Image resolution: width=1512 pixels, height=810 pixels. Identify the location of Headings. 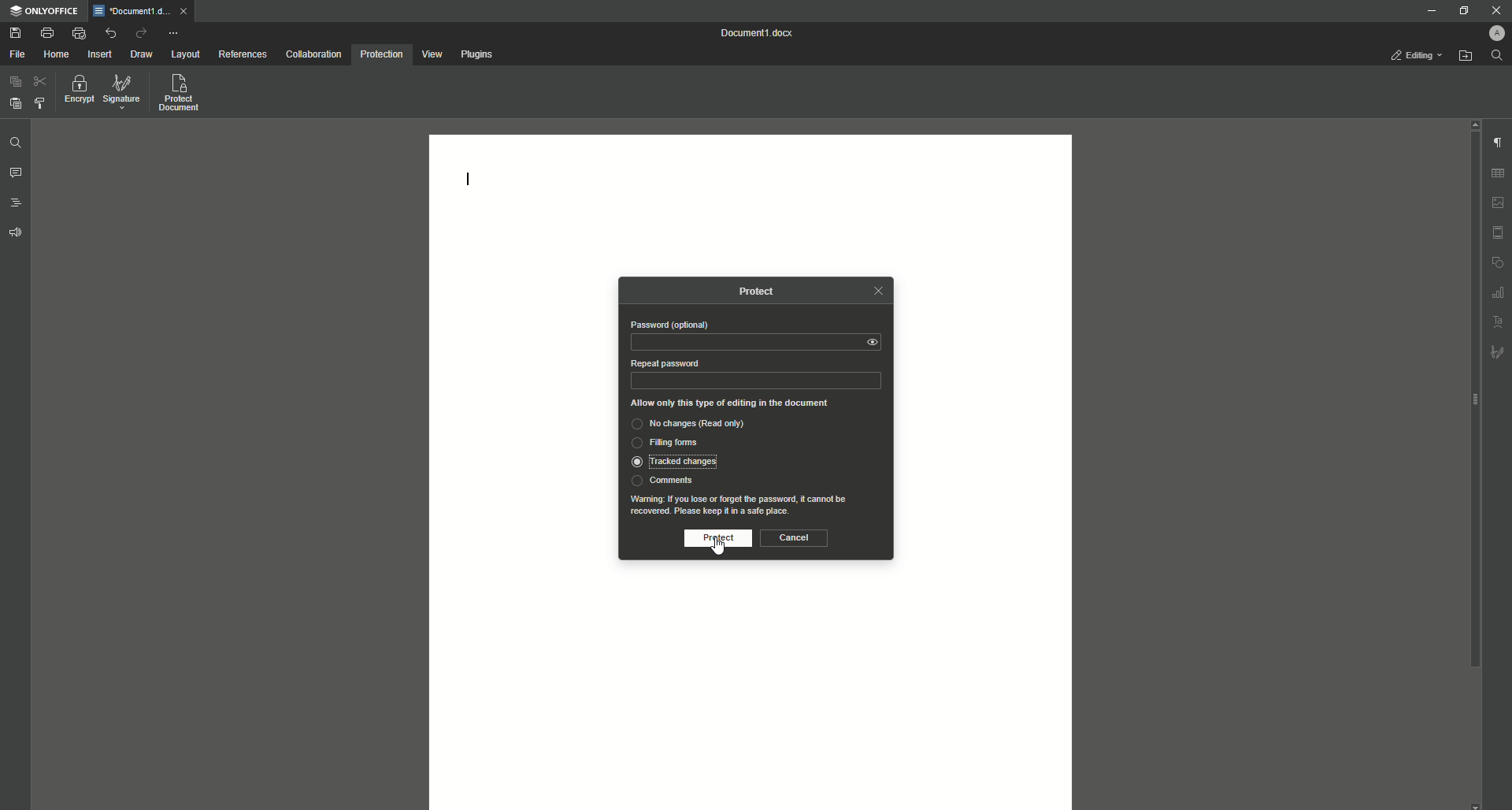
(17, 201).